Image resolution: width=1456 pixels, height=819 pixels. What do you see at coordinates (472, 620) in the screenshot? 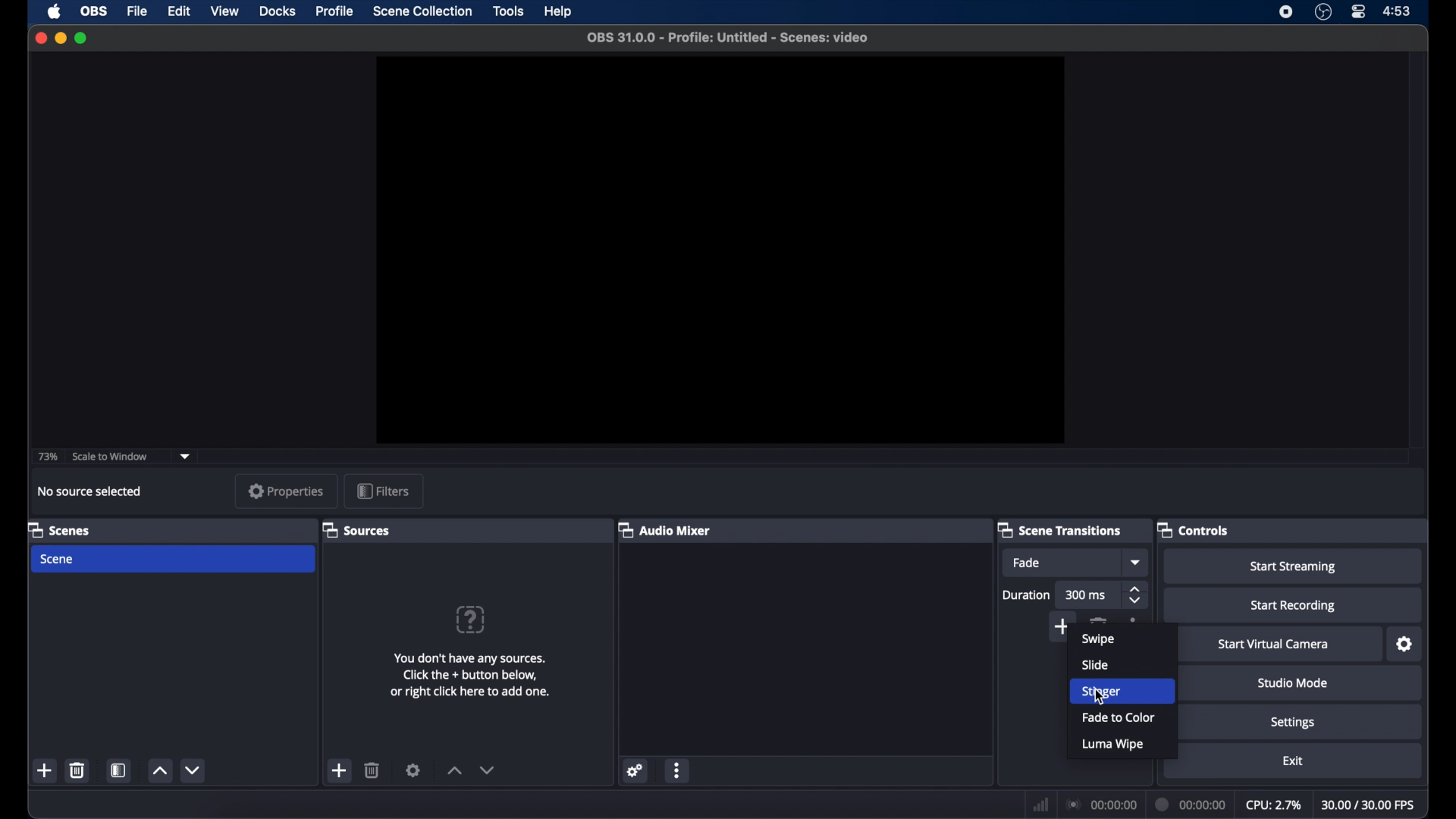
I see `question mark` at bounding box center [472, 620].